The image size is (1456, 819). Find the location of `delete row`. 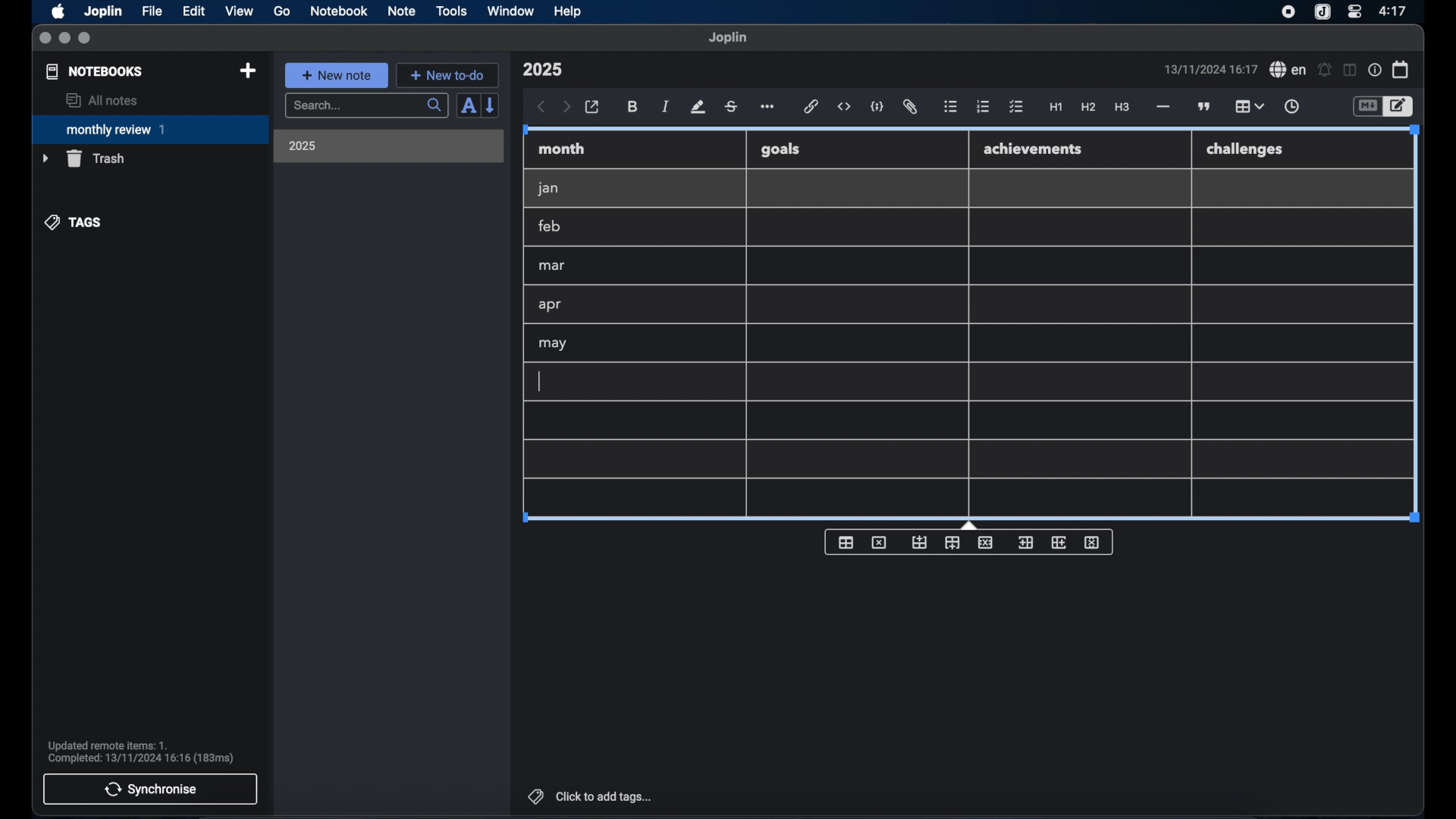

delete row is located at coordinates (987, 541).